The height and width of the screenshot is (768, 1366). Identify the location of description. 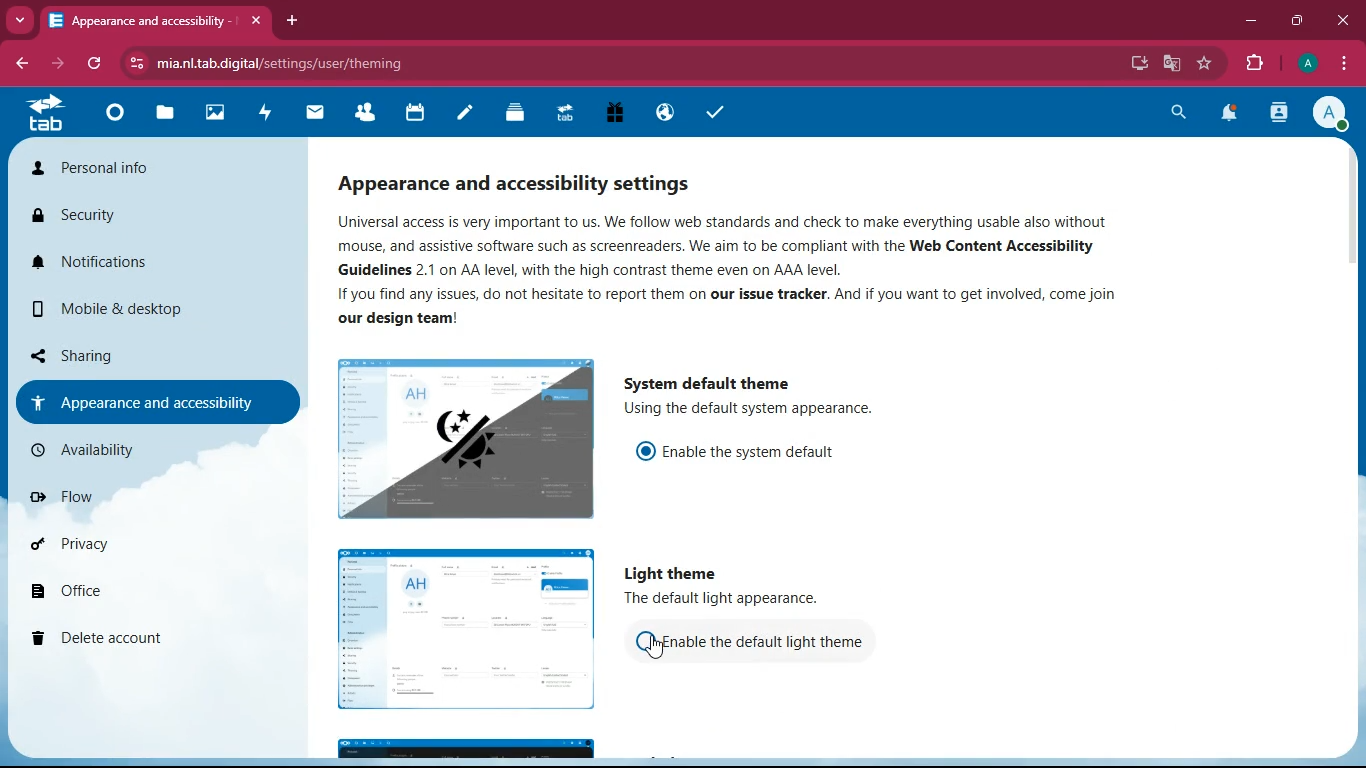
(733, 599).